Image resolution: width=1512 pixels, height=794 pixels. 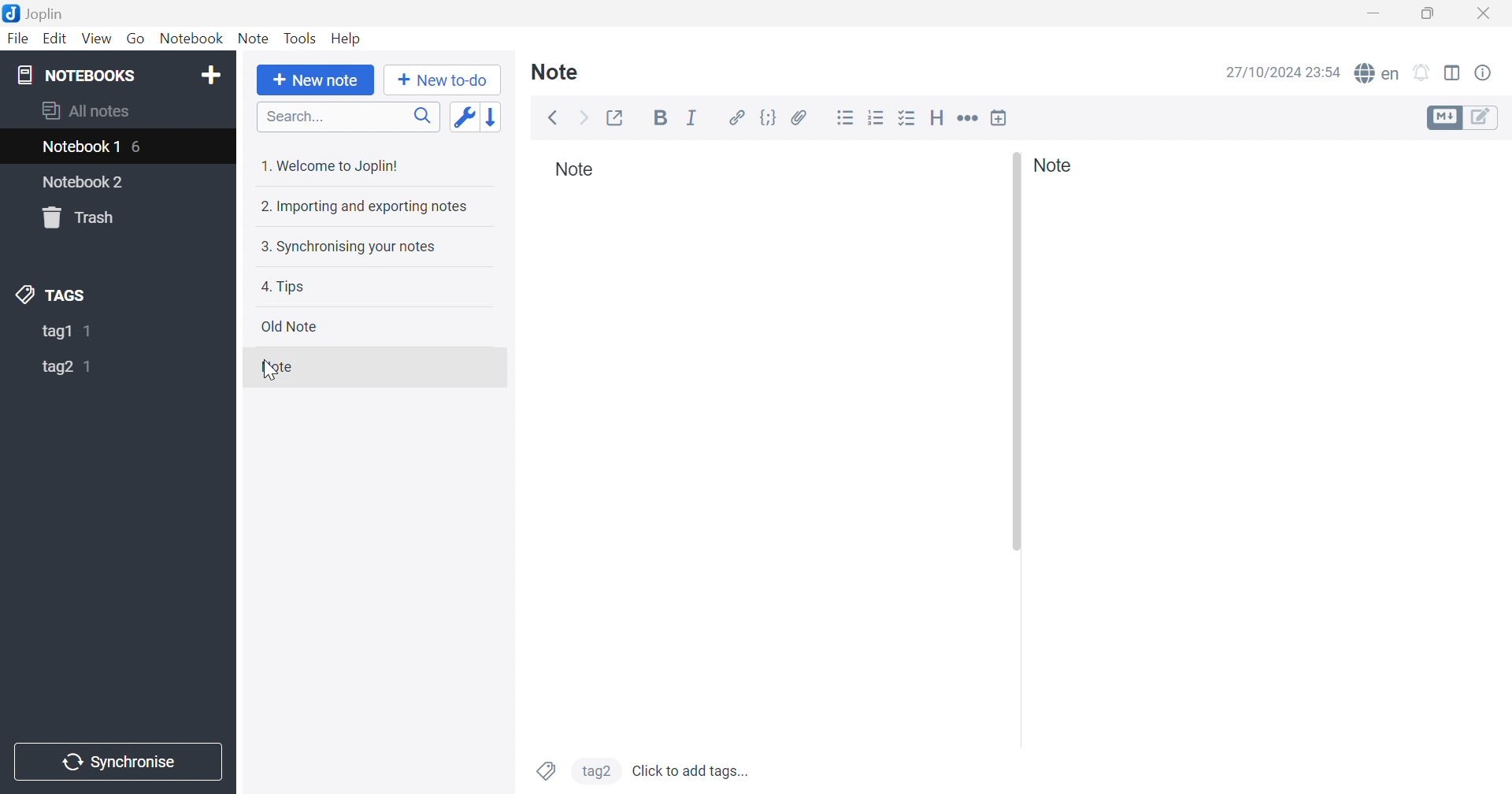 I want to click on tag1, so click(x=54, y=332).